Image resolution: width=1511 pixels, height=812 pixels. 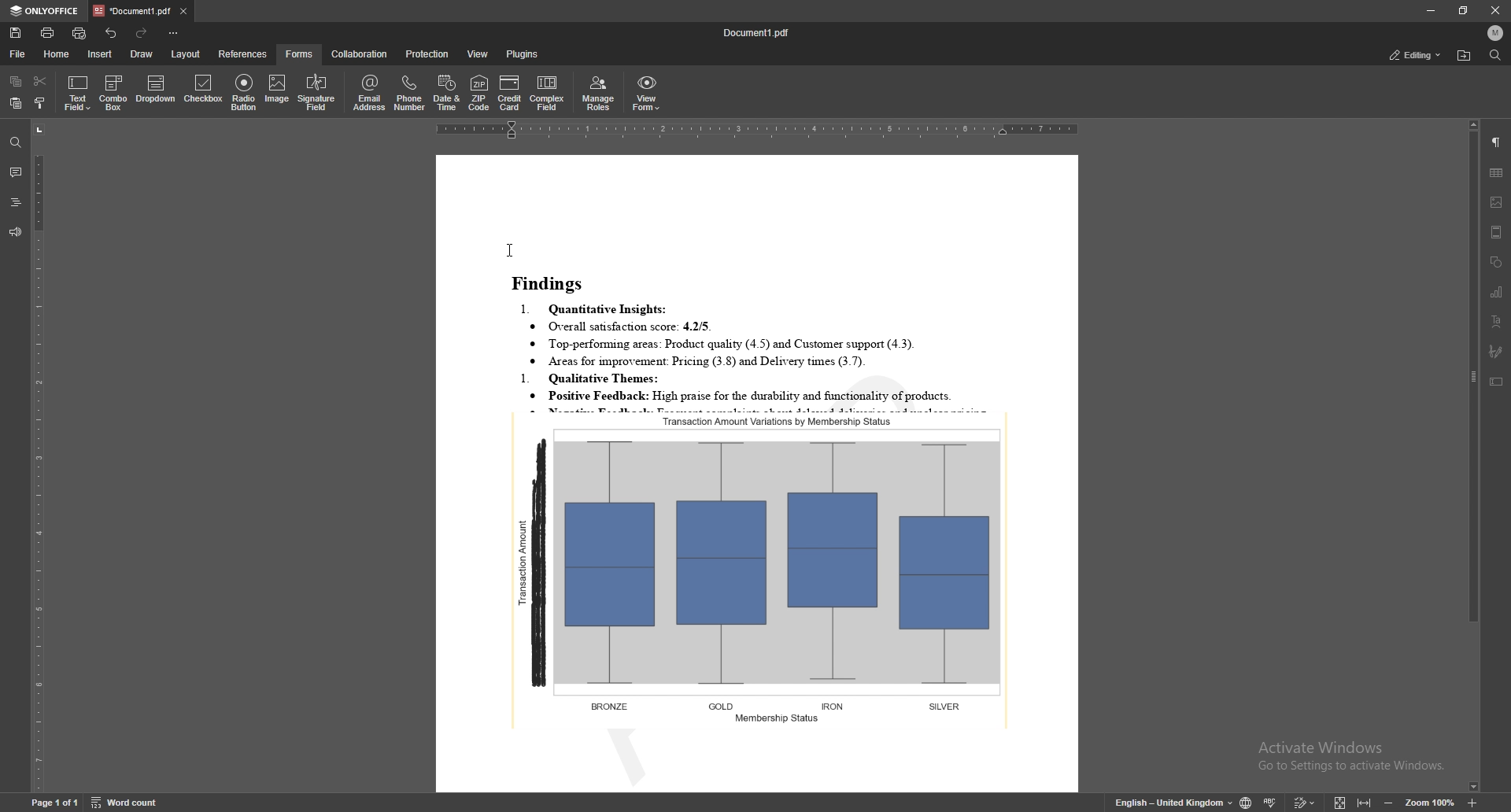 I want to click on radio button, so click(x=243, y=94).